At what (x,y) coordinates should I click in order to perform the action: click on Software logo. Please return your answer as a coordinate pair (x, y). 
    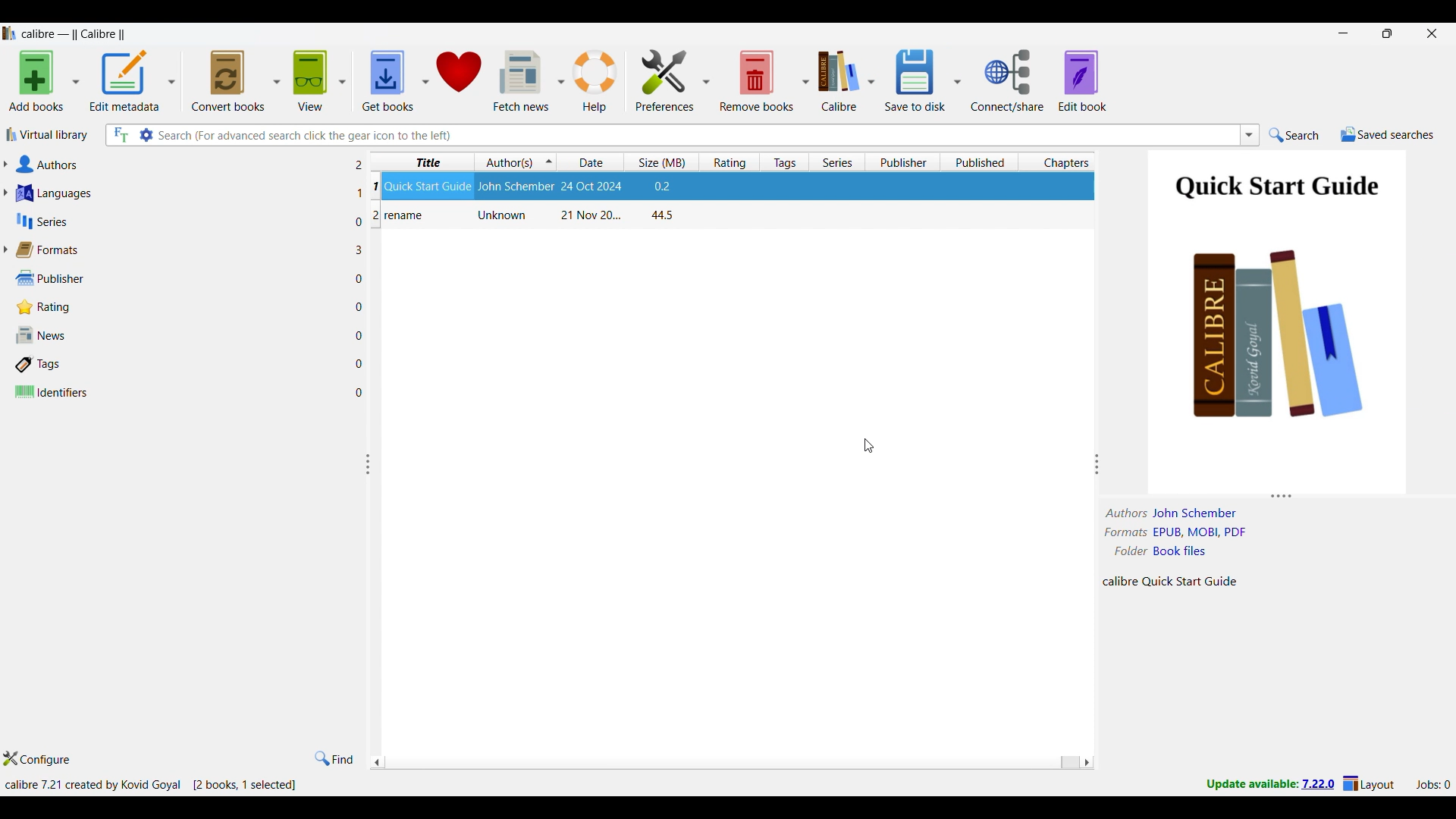
    Looking at the image, I should click on (10, 33).